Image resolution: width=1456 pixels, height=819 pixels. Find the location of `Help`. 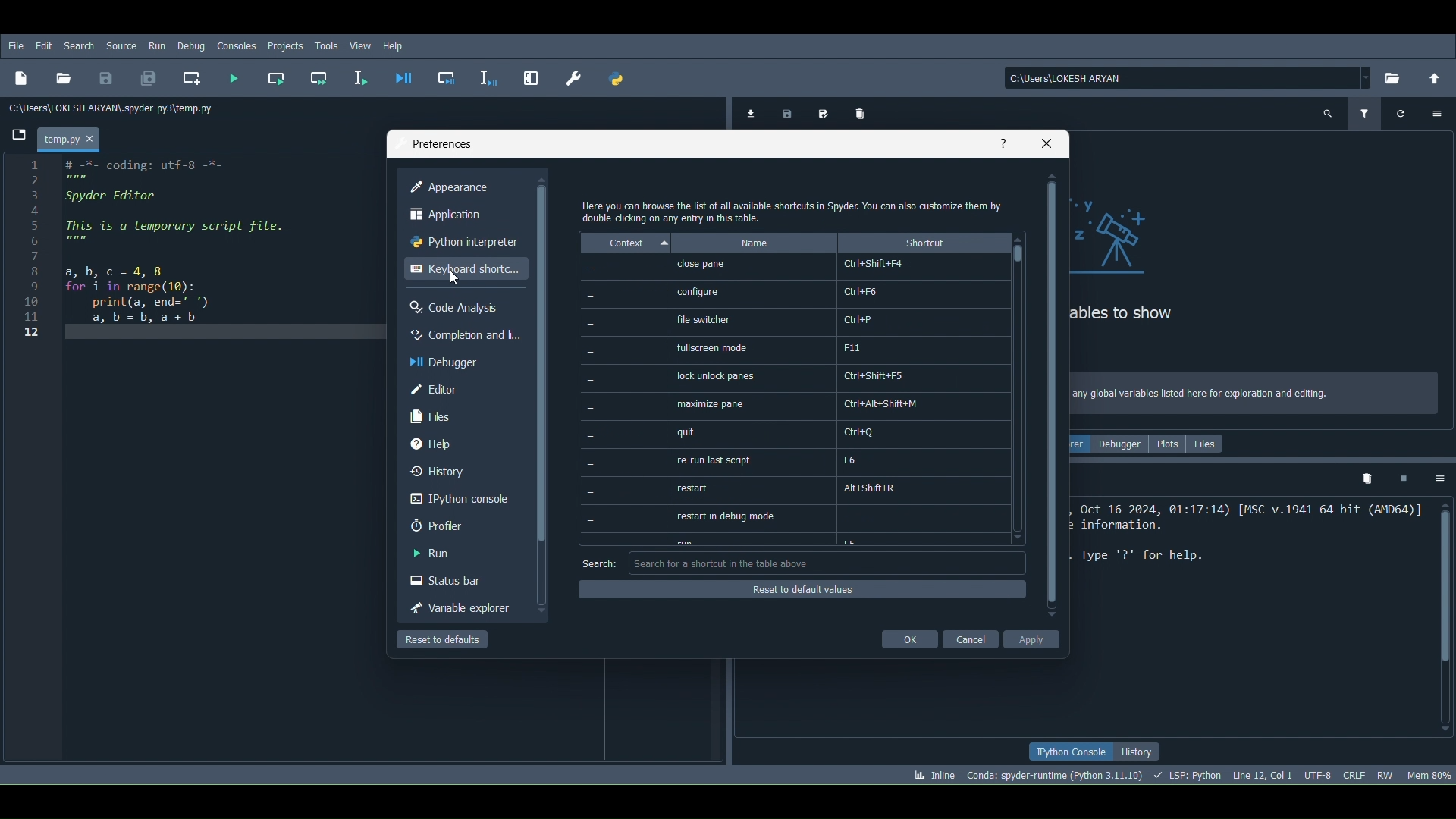

Help is located at coordinates (460, 444).